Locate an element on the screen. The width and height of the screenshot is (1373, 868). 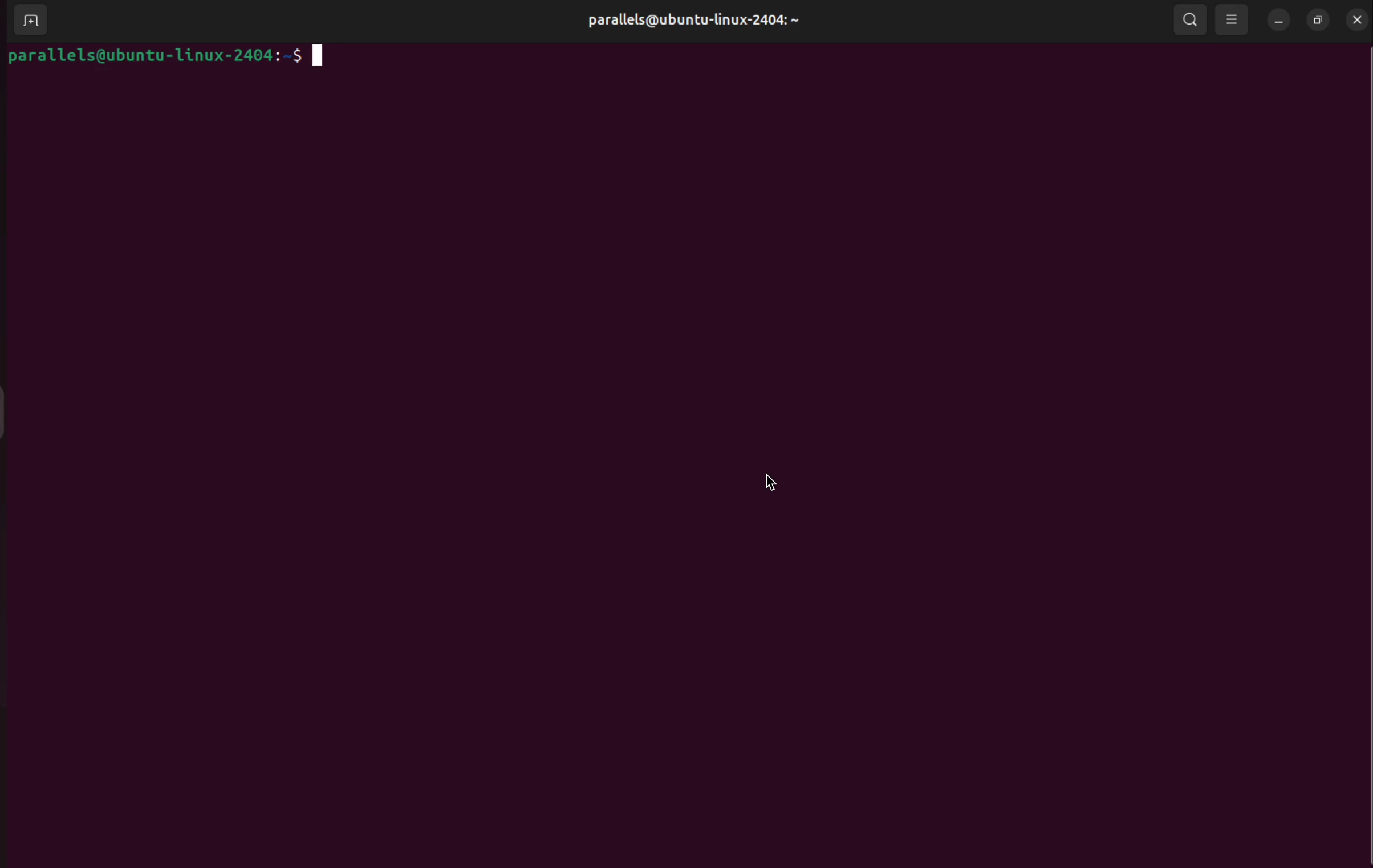
view options is located at coordinates (1233, 19).